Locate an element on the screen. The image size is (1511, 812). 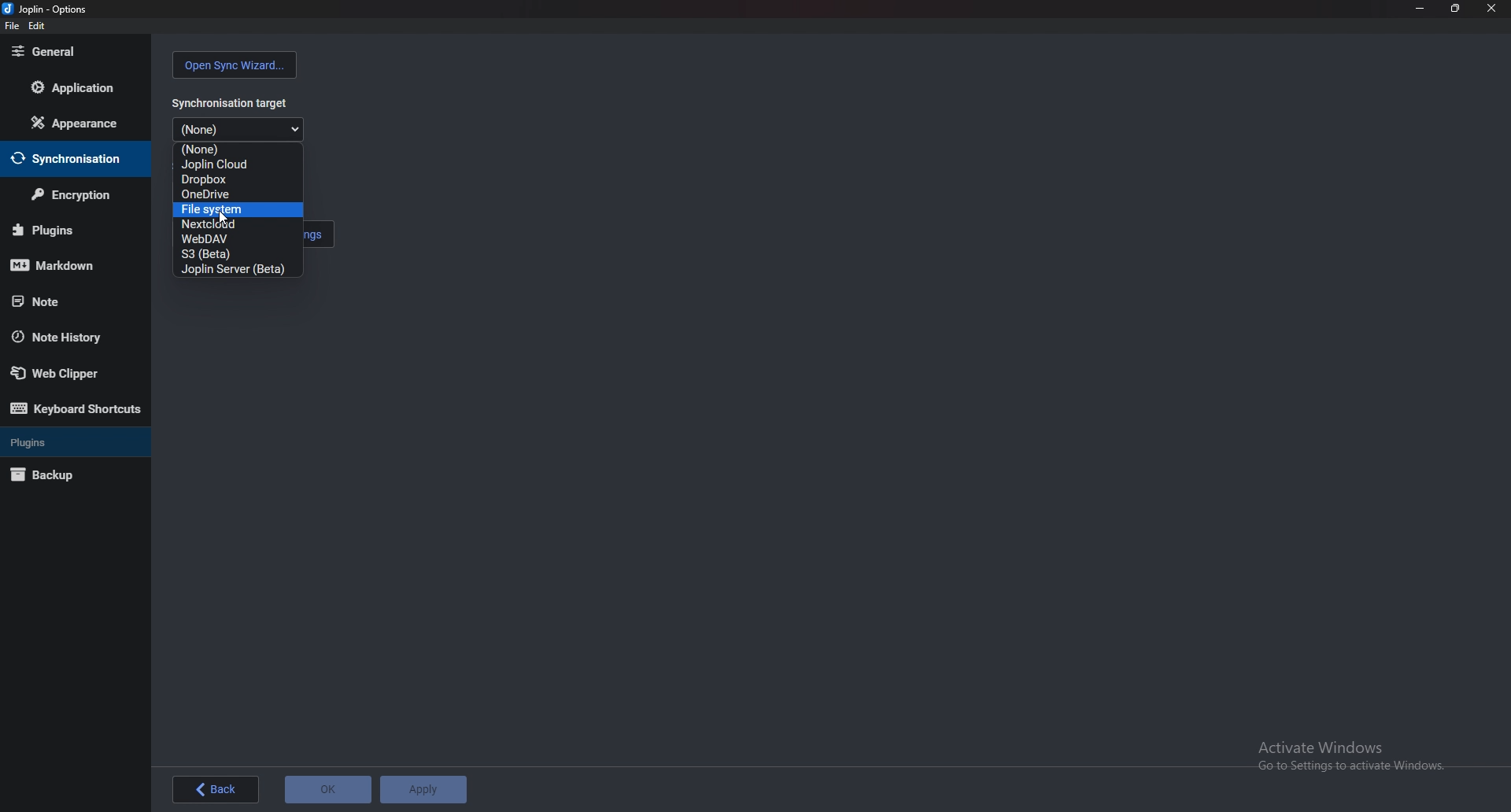
note is located at coordinates (59, 301).